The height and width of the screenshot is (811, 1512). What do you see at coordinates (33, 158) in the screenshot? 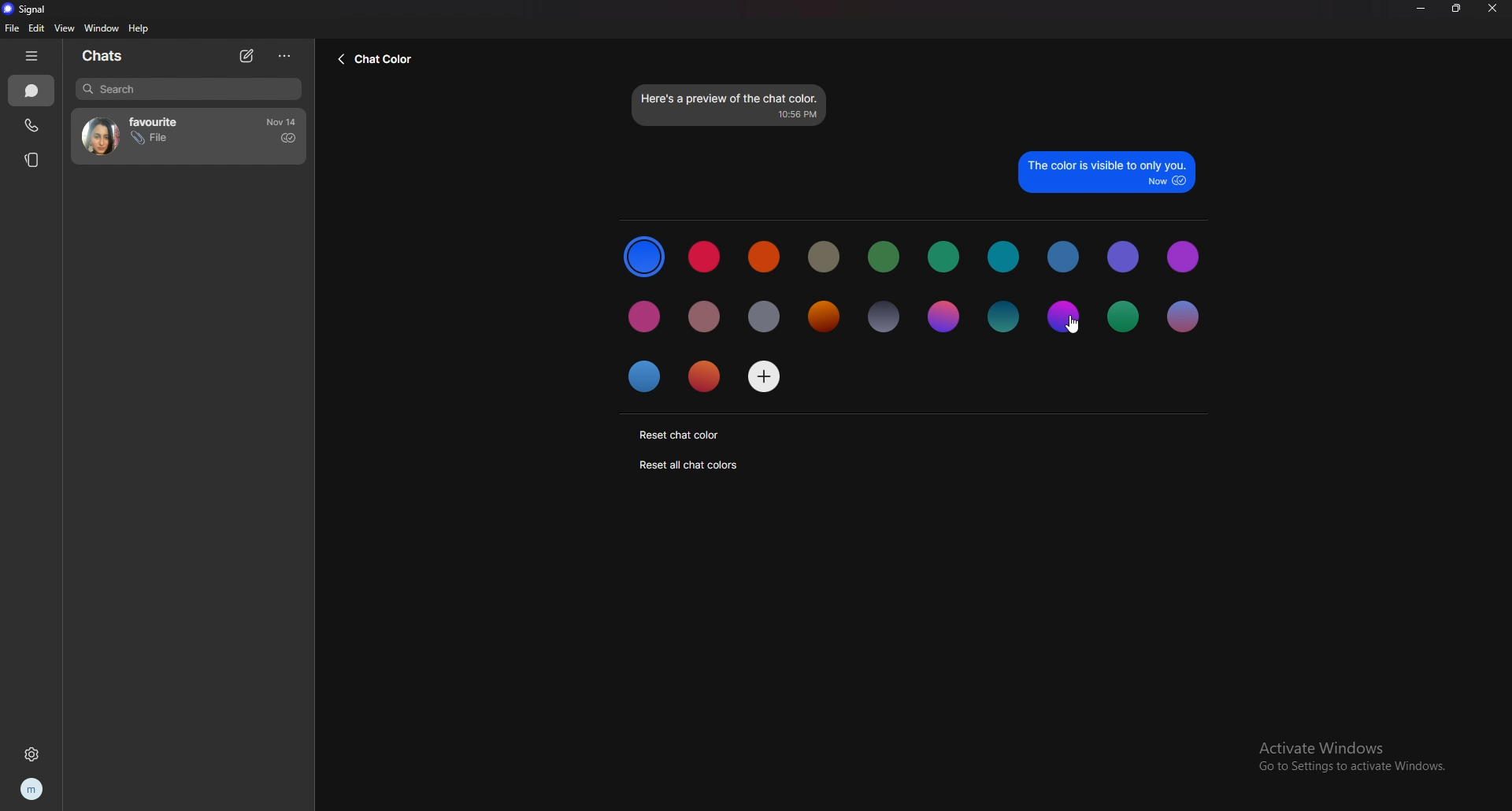
I see `stories` at bounding box center [33, 158].